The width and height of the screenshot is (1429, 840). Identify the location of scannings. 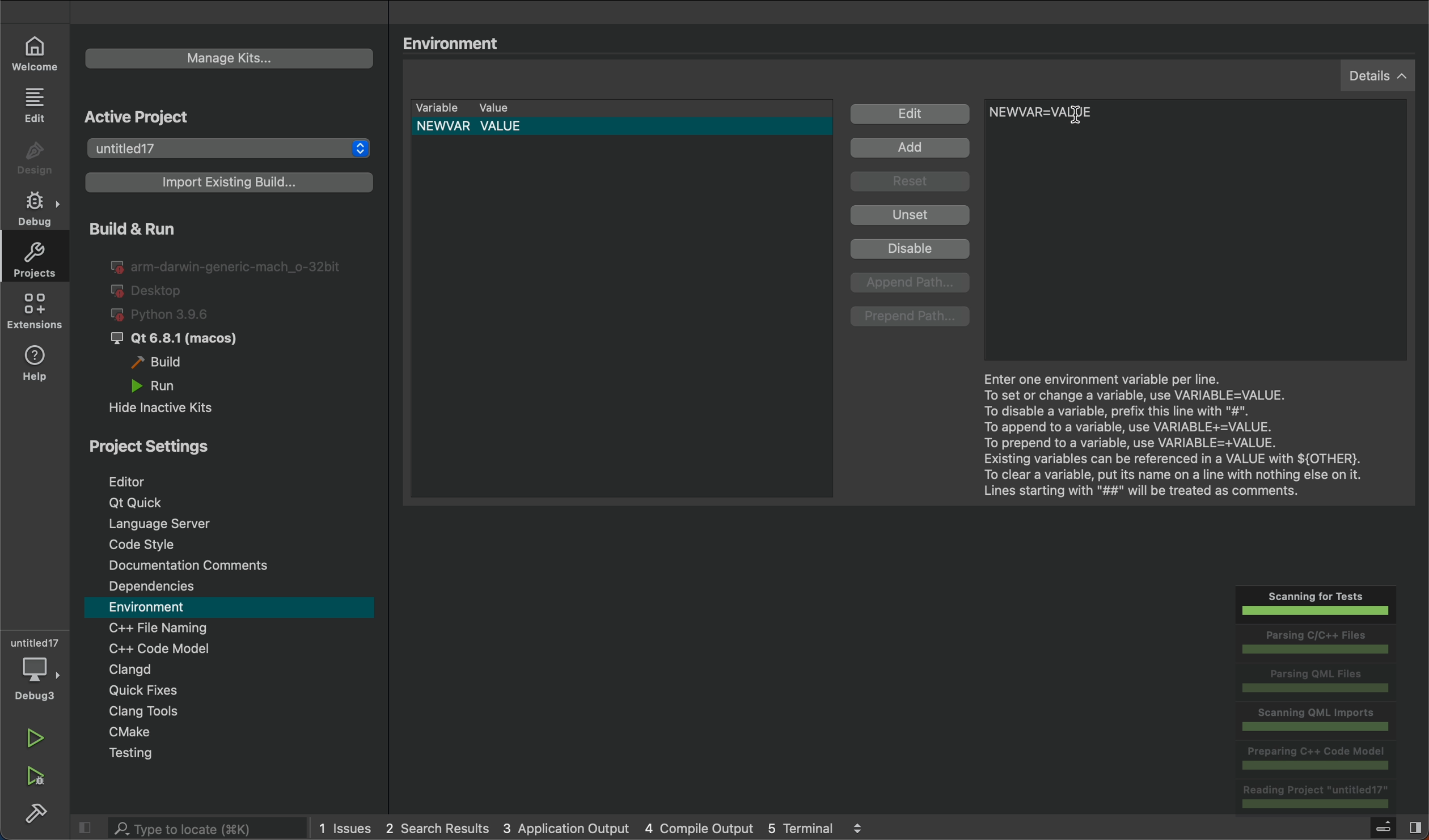
(1320, 699).